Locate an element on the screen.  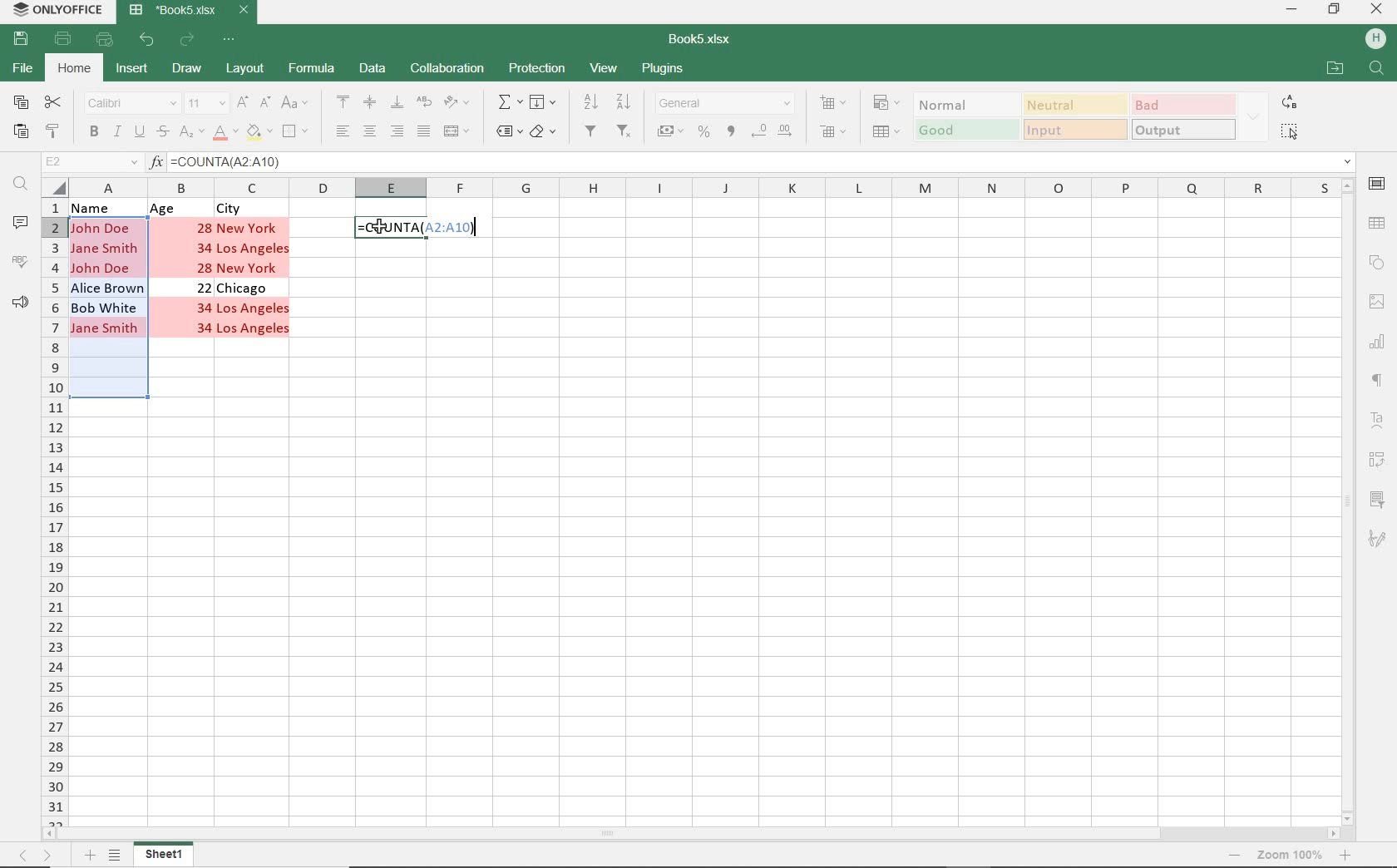
COLUMNS is located at coordinates (703, 187).